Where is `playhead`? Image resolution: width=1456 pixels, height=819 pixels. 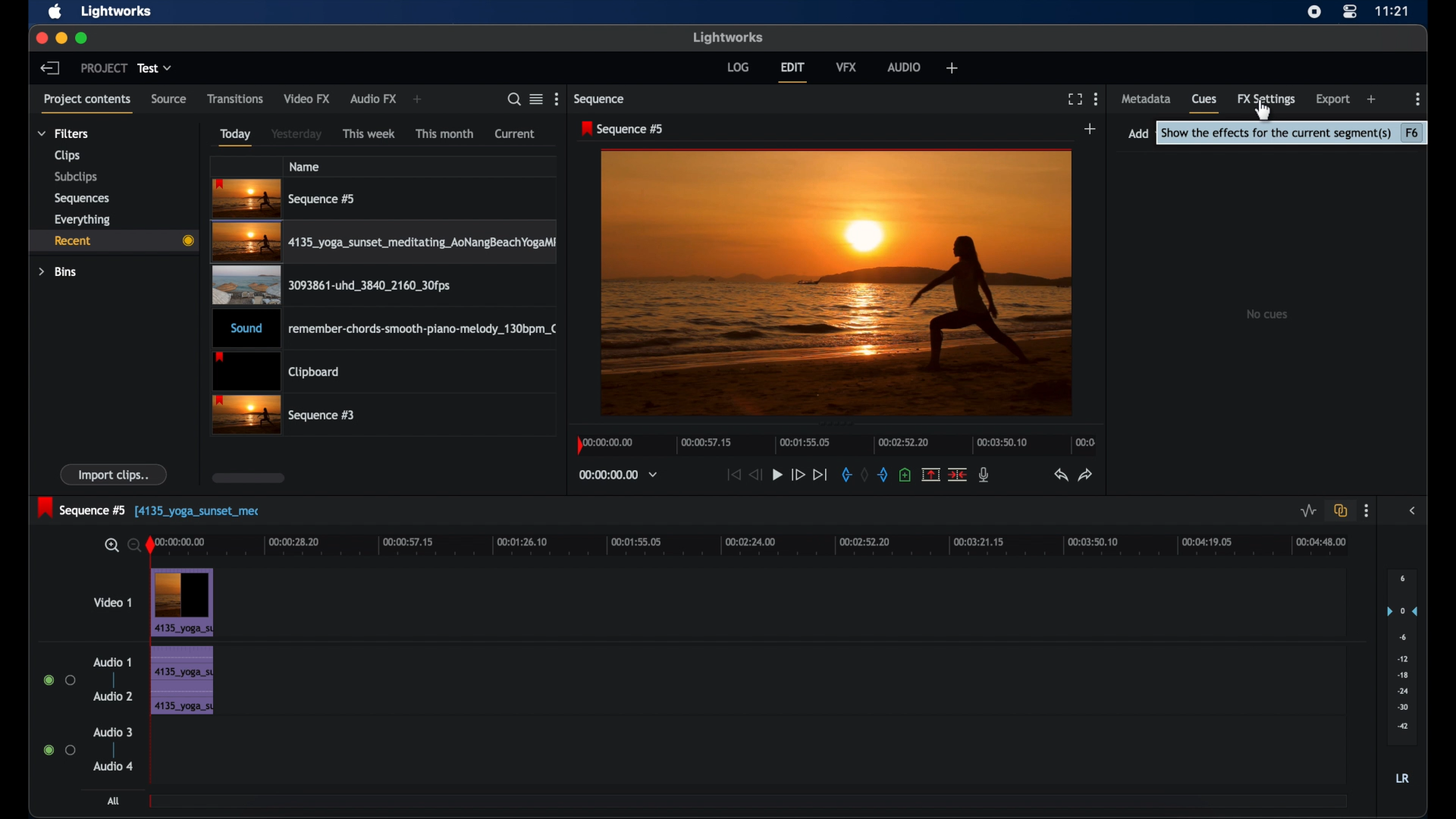 playhead is located at coordinates (151, 546).